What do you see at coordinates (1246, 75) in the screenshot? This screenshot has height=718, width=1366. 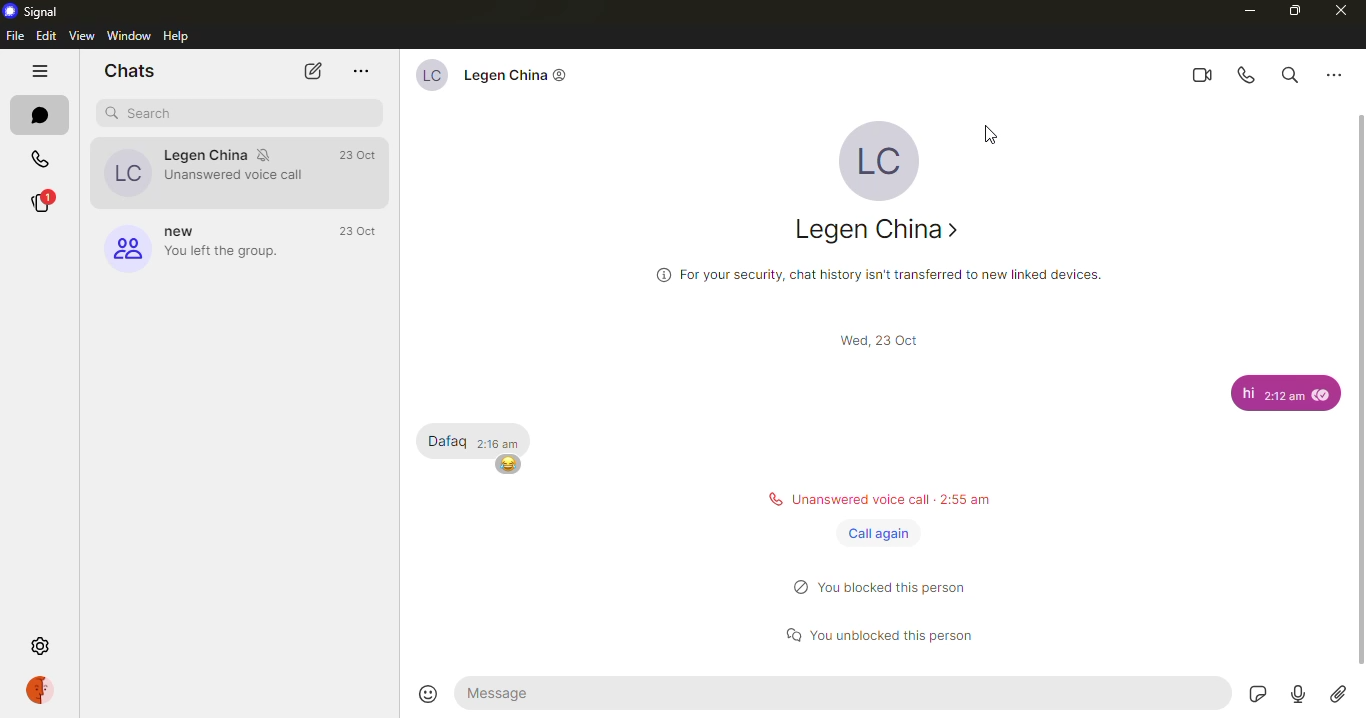 I see `voice call` at bounding box center [1246, 75].